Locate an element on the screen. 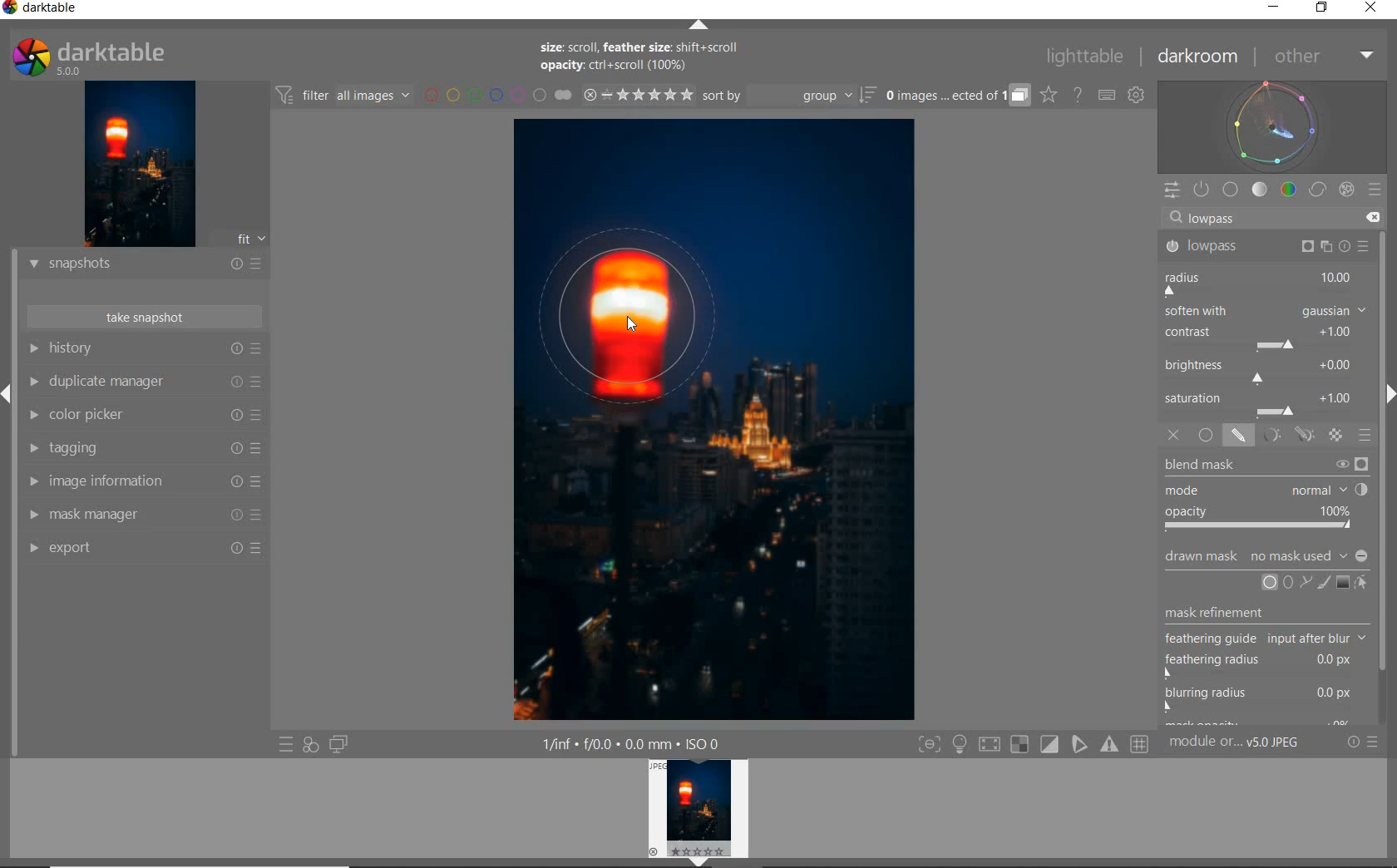 Image resolution: width=1397 pixels, height=868 pixels. RESET OR PRESETS & PREFERENCES is located at coordinates (1369, 742).